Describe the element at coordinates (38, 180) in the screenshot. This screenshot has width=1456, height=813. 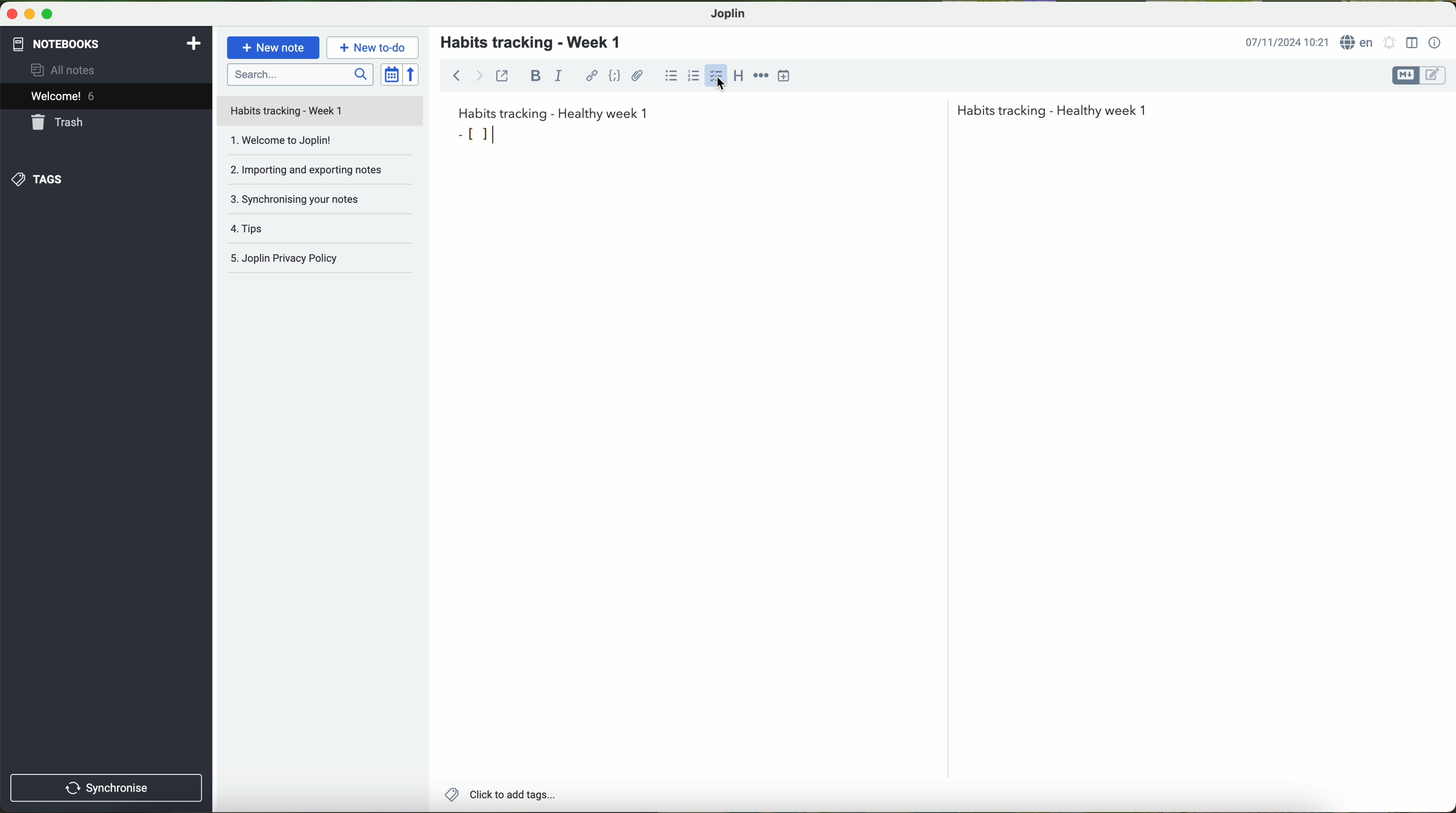
I see `tags` at that location.